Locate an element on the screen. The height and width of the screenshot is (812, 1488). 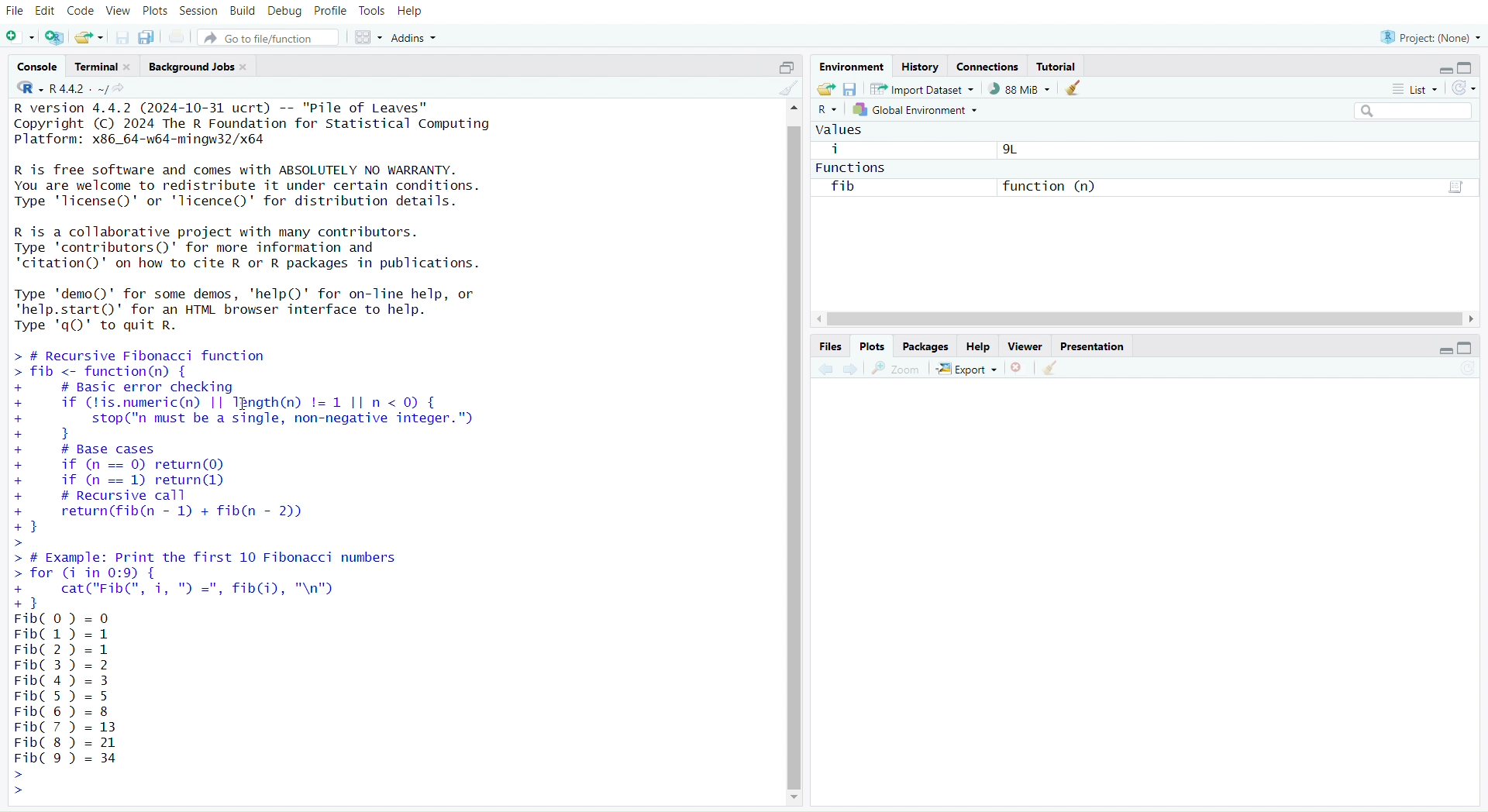
debug is located at coordinates (285, 12).